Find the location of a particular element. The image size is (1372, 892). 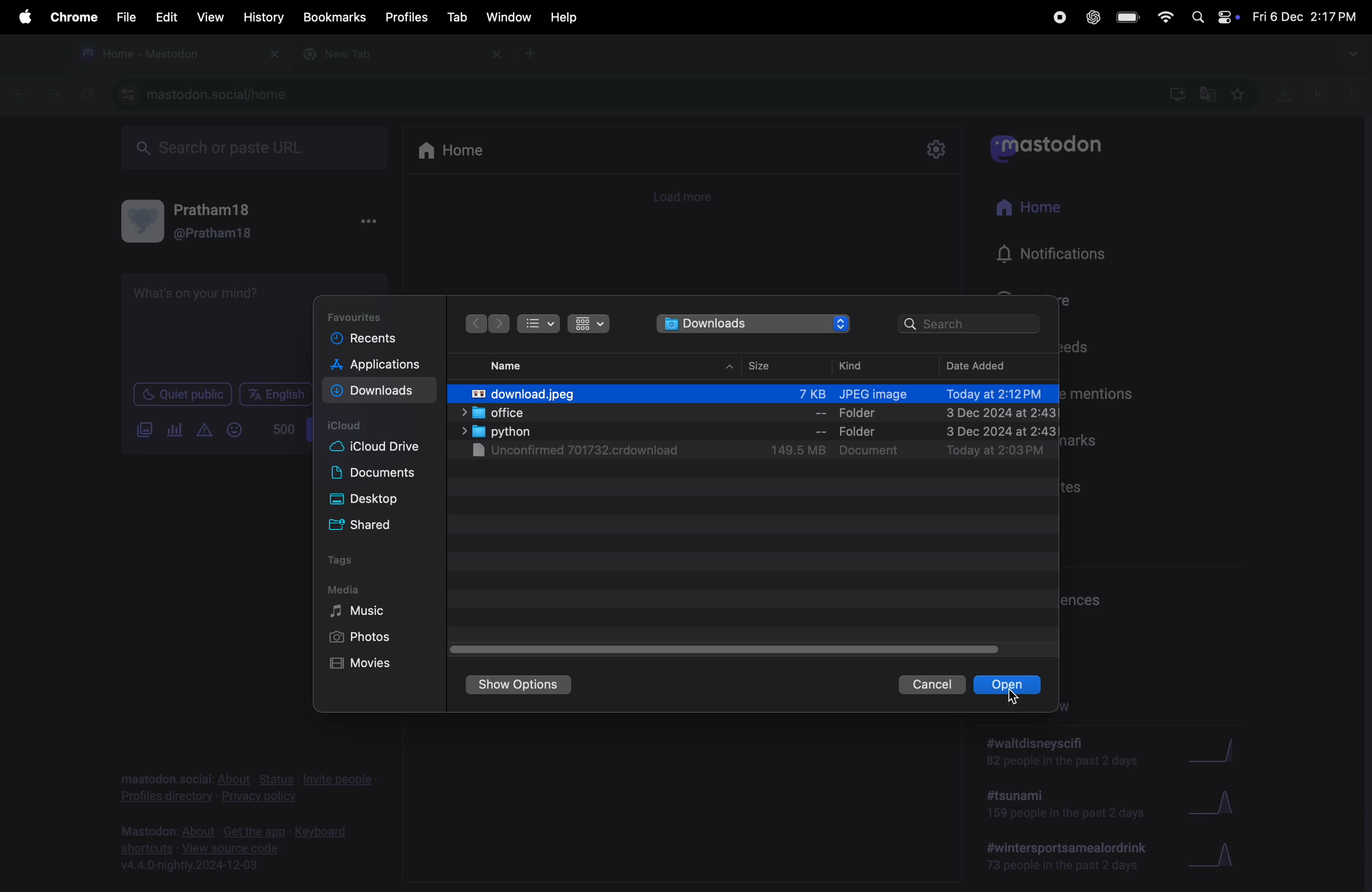

500 words is located at coordinates (285, 429).